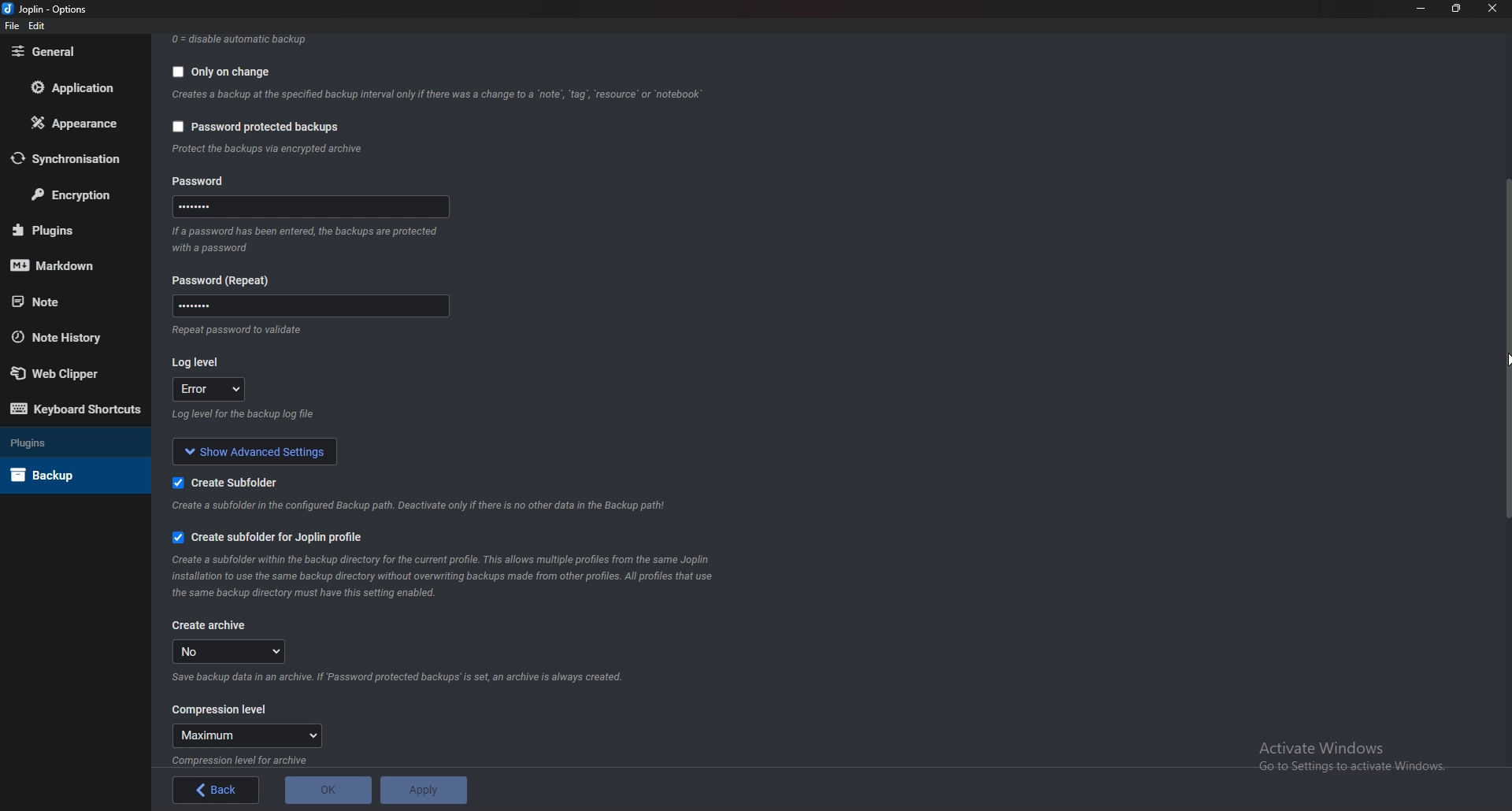 The width and height of the screenshot is (1512, 811). I want to click on joplin, so click(46, 9).